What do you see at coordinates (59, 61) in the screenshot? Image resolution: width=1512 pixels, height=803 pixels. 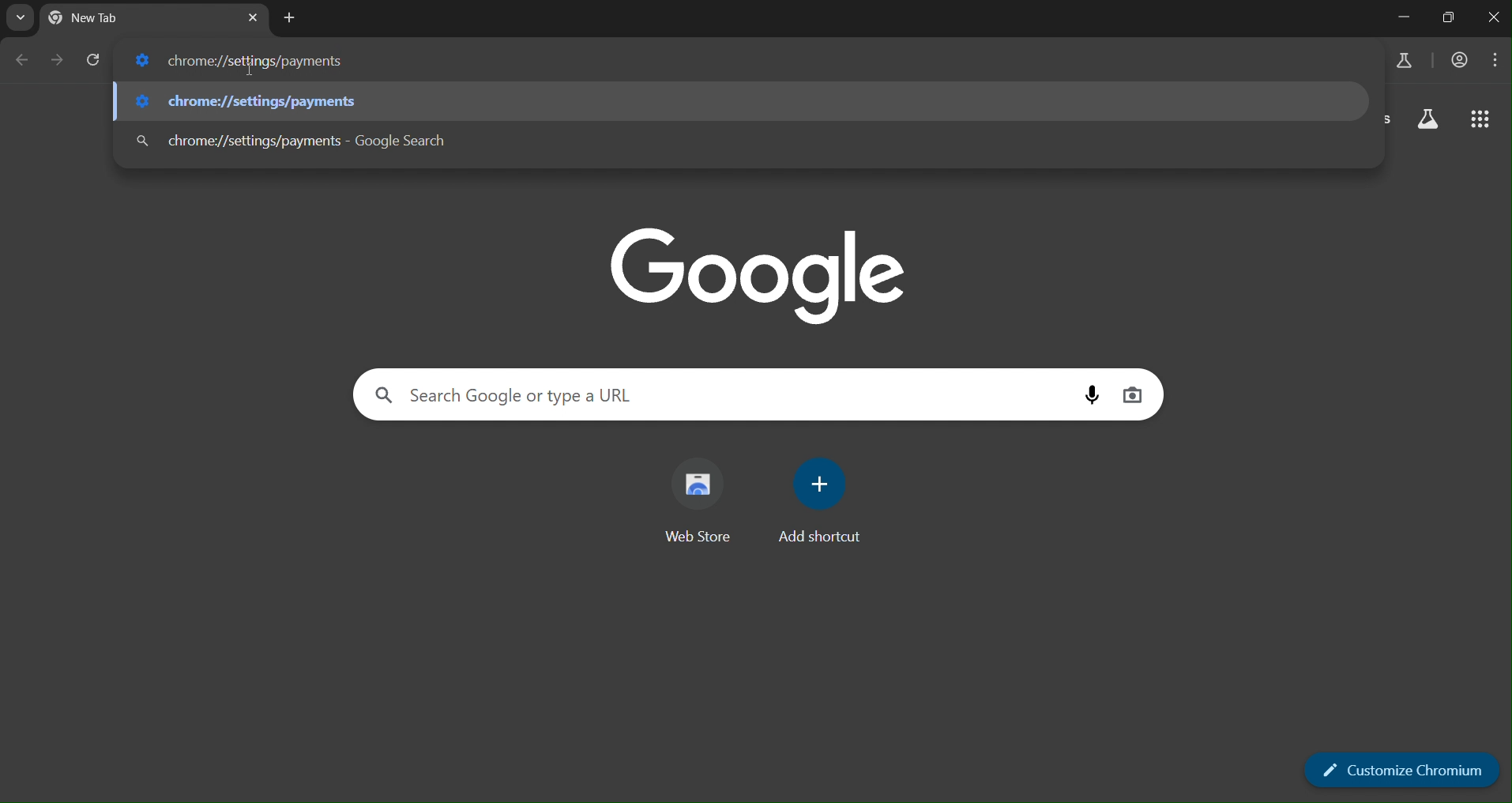 I see `go forward one page` at bounding box center [59, 61].